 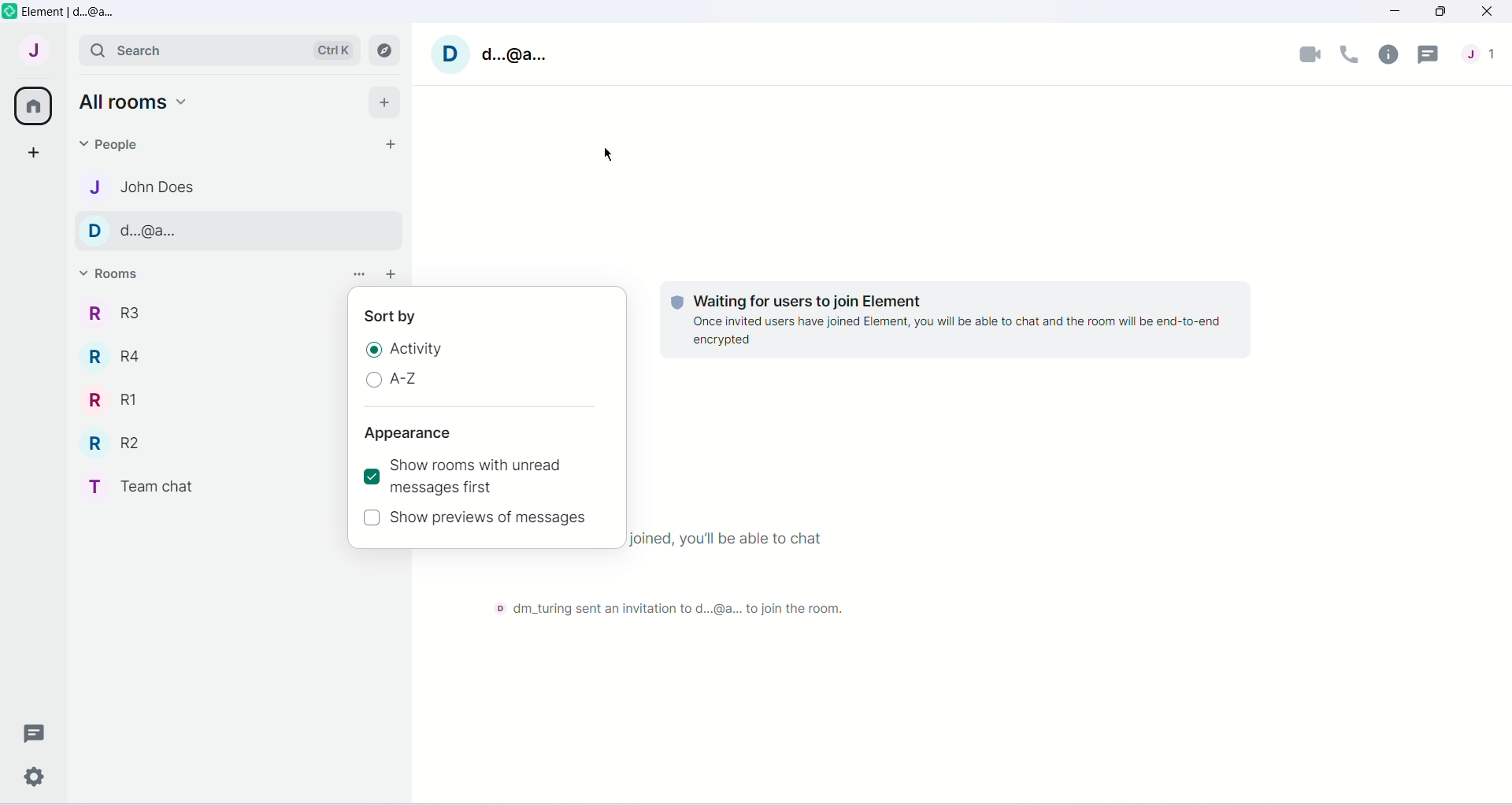 What do you see at coordinates (69, 9) in the screenshot?
I see `Element d..@a` at bounding box center [69, 9].